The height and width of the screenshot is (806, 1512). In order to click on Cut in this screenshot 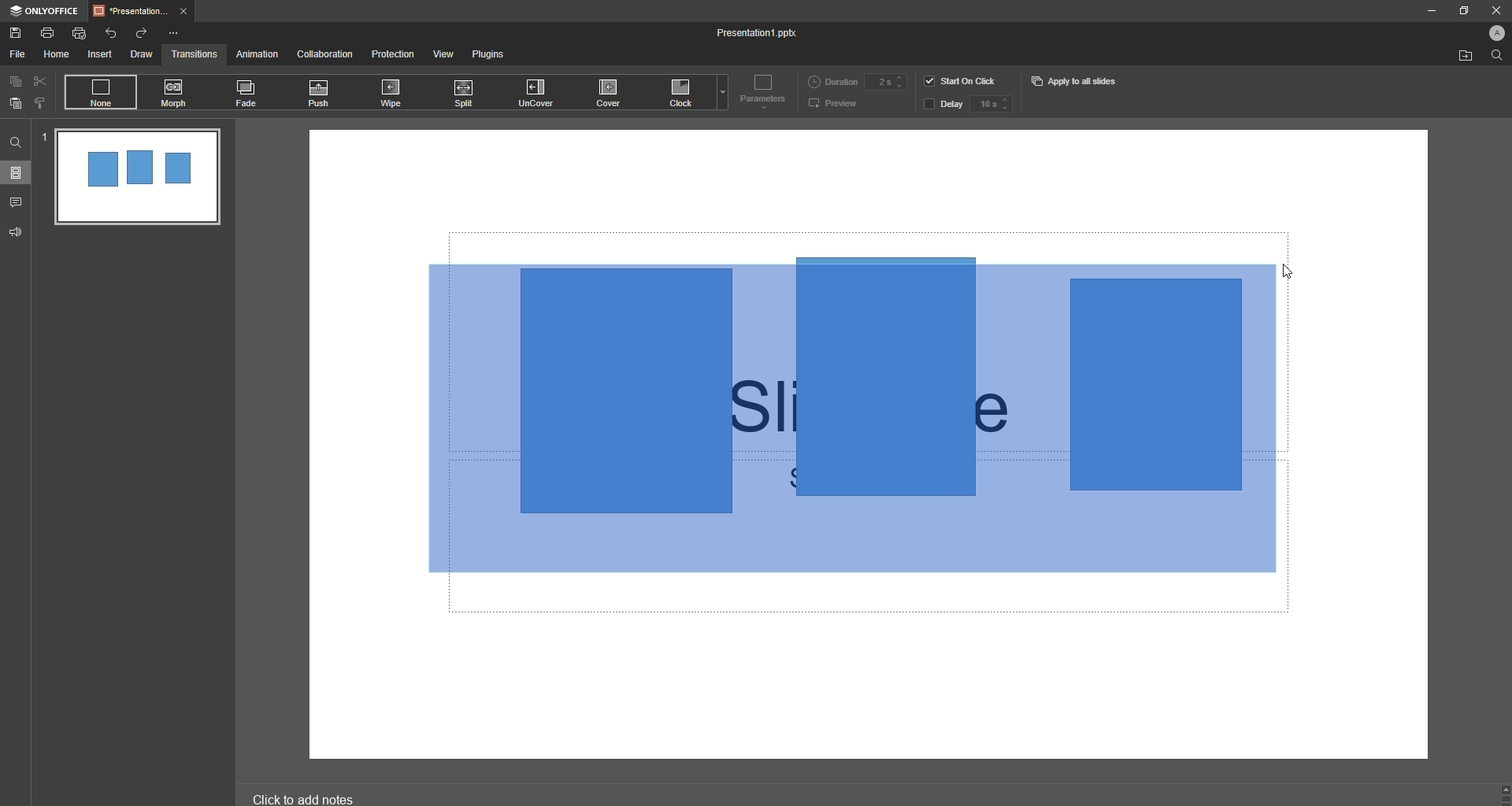, I will do `click(40, 80)`.